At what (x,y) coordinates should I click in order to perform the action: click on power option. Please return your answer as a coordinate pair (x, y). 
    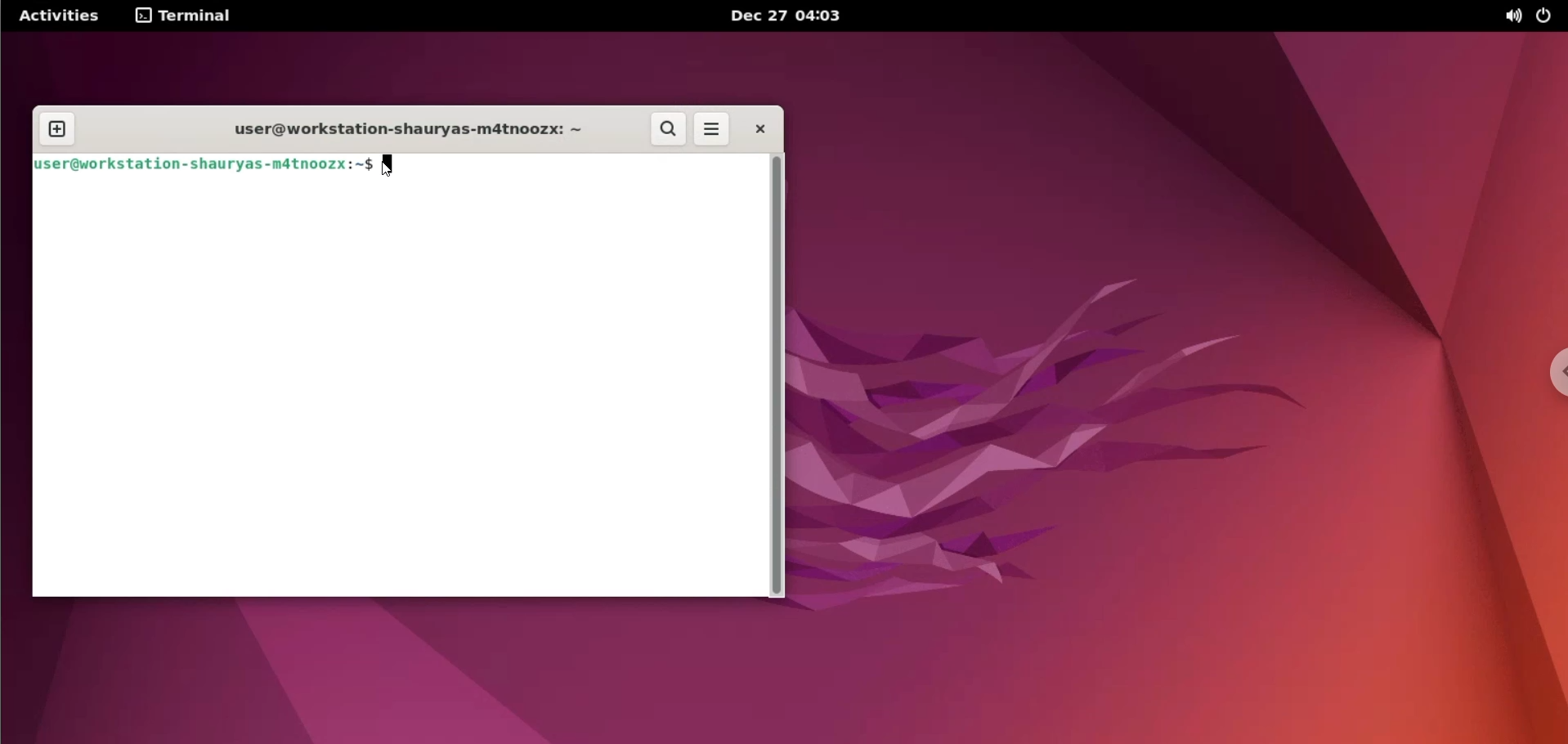
    Looking at the image, I should click on (1548, 16).